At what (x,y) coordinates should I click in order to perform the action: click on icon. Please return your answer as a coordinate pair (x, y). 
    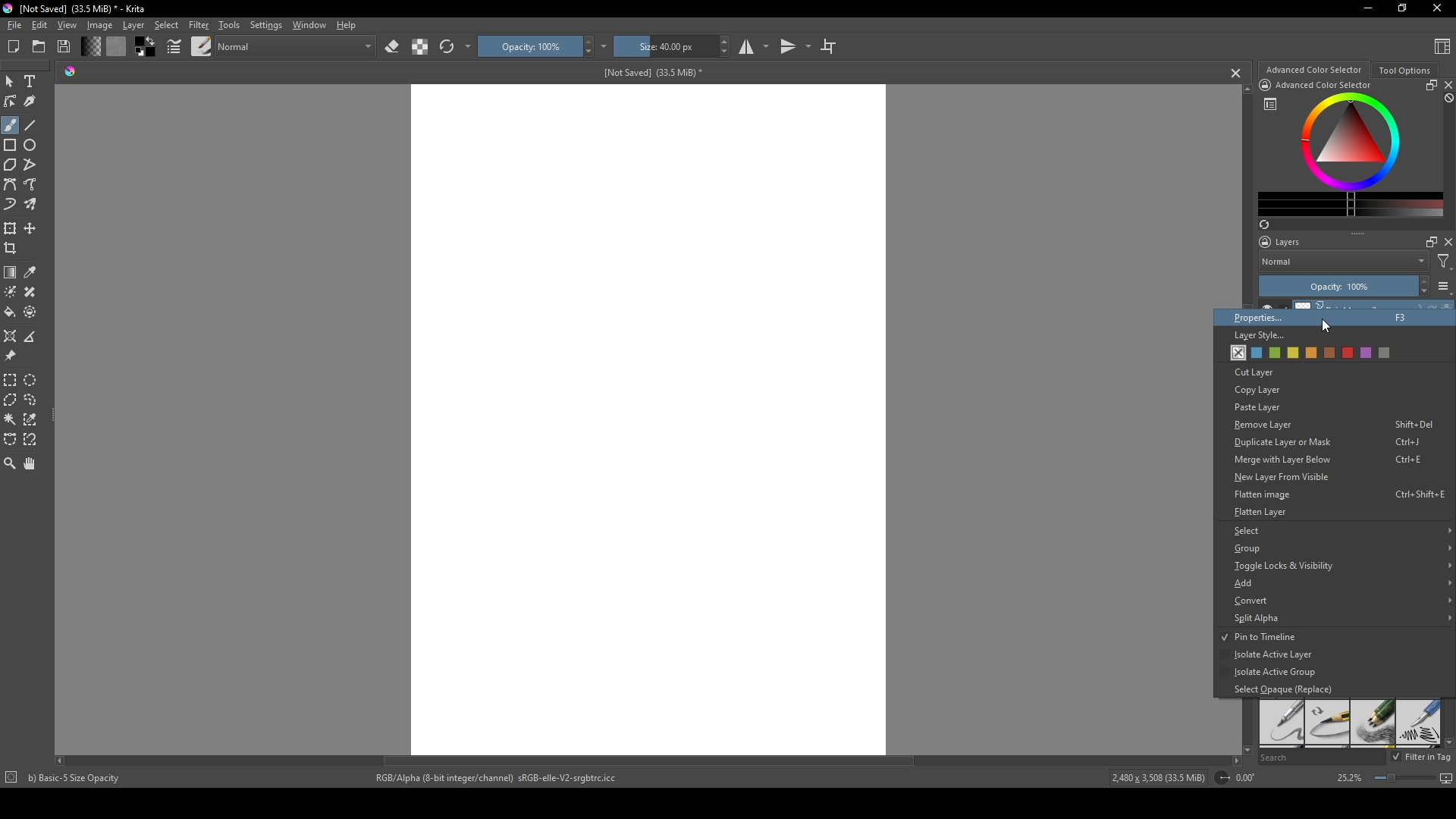
    Looking at the image, I should click on (1221, 778).